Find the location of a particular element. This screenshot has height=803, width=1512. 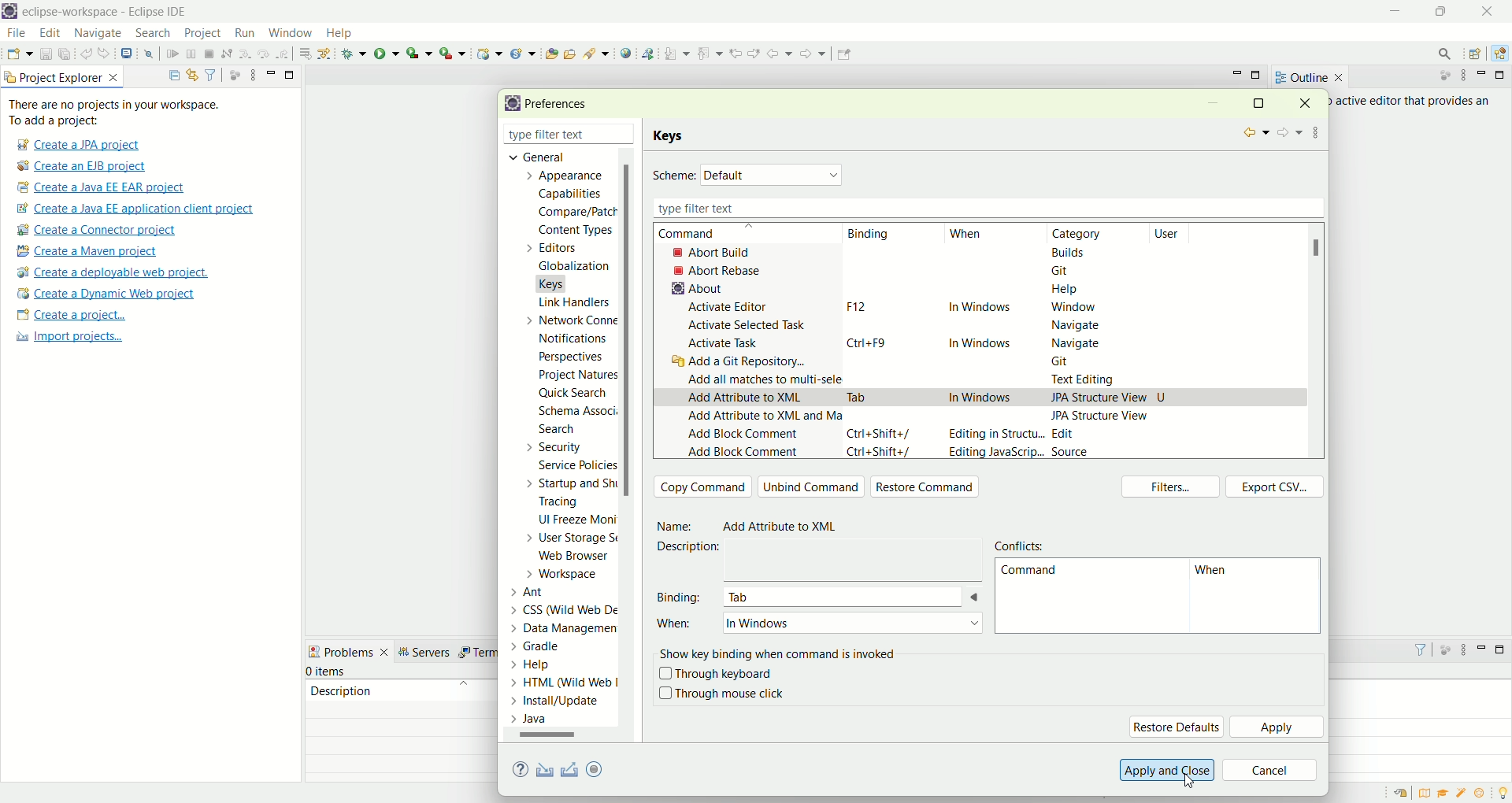

description is located at coordinates (694, 547).